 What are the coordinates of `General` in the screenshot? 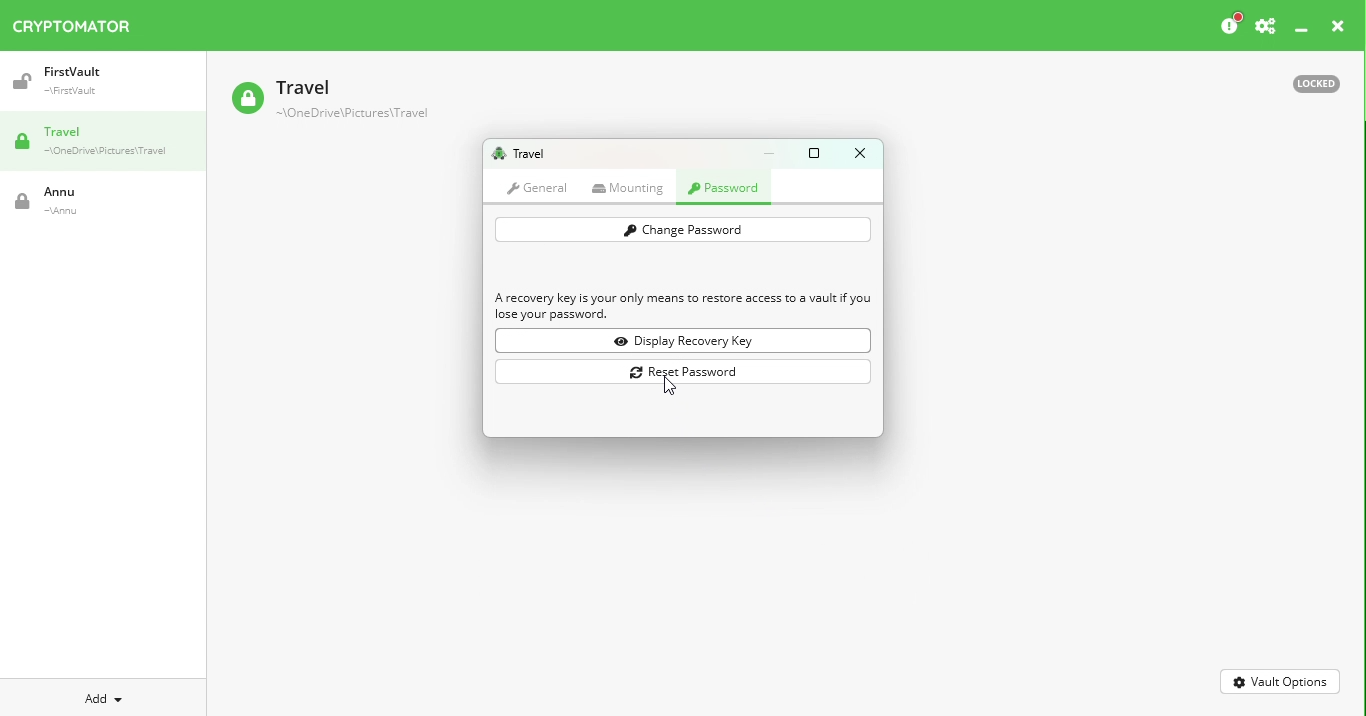 It's located at (537, 187).